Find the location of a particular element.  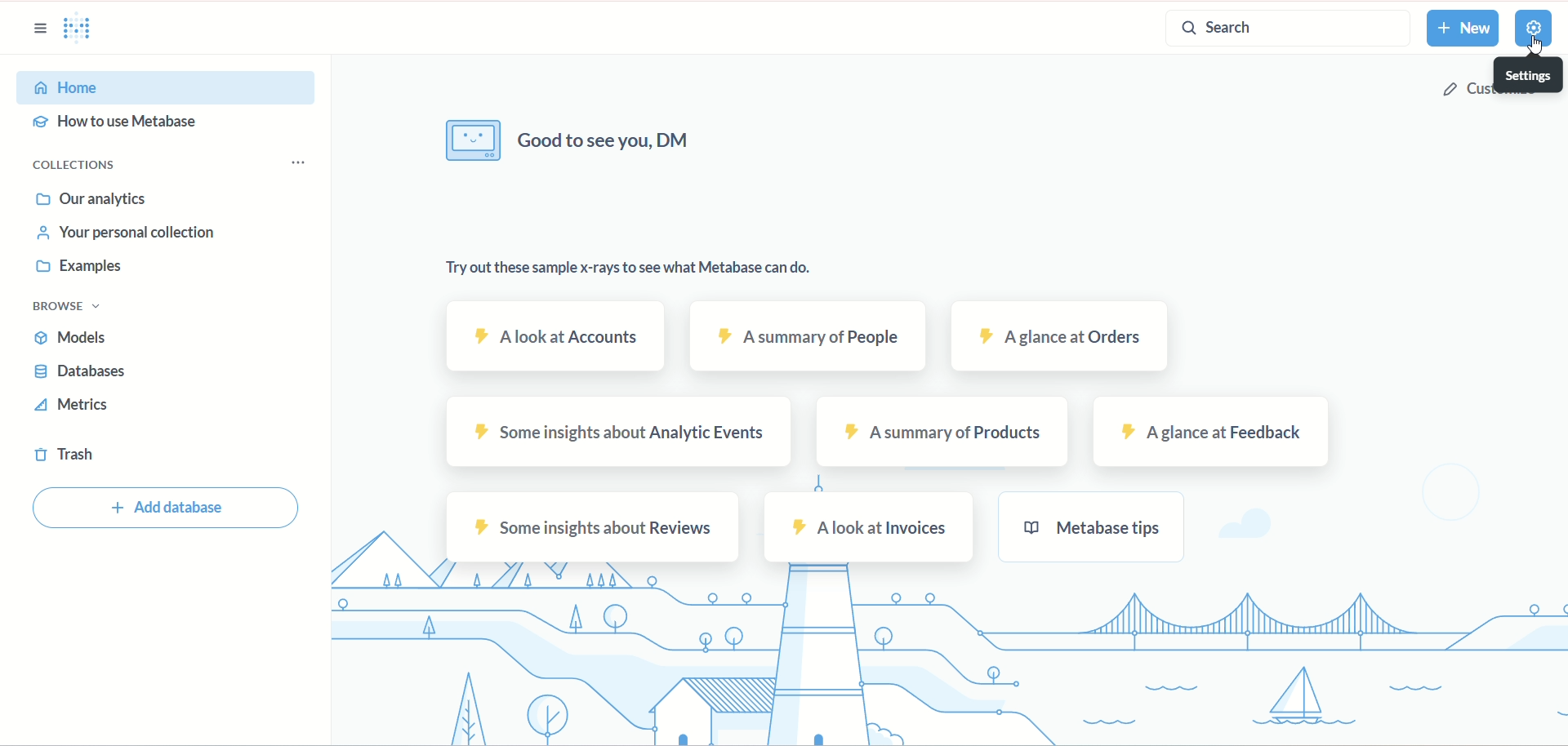

models is located at coordinates (72, 335).